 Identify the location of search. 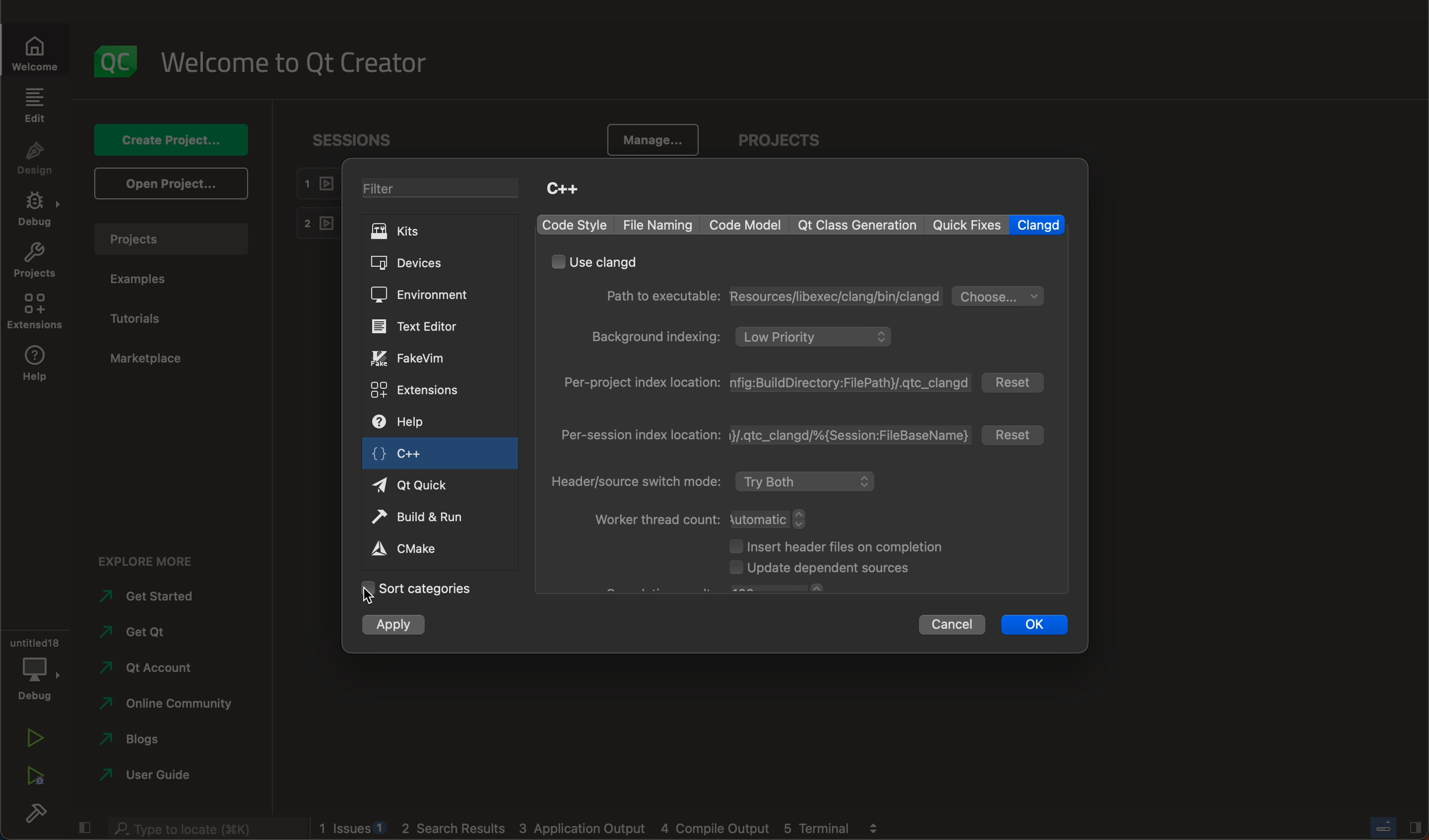
(203, 828).